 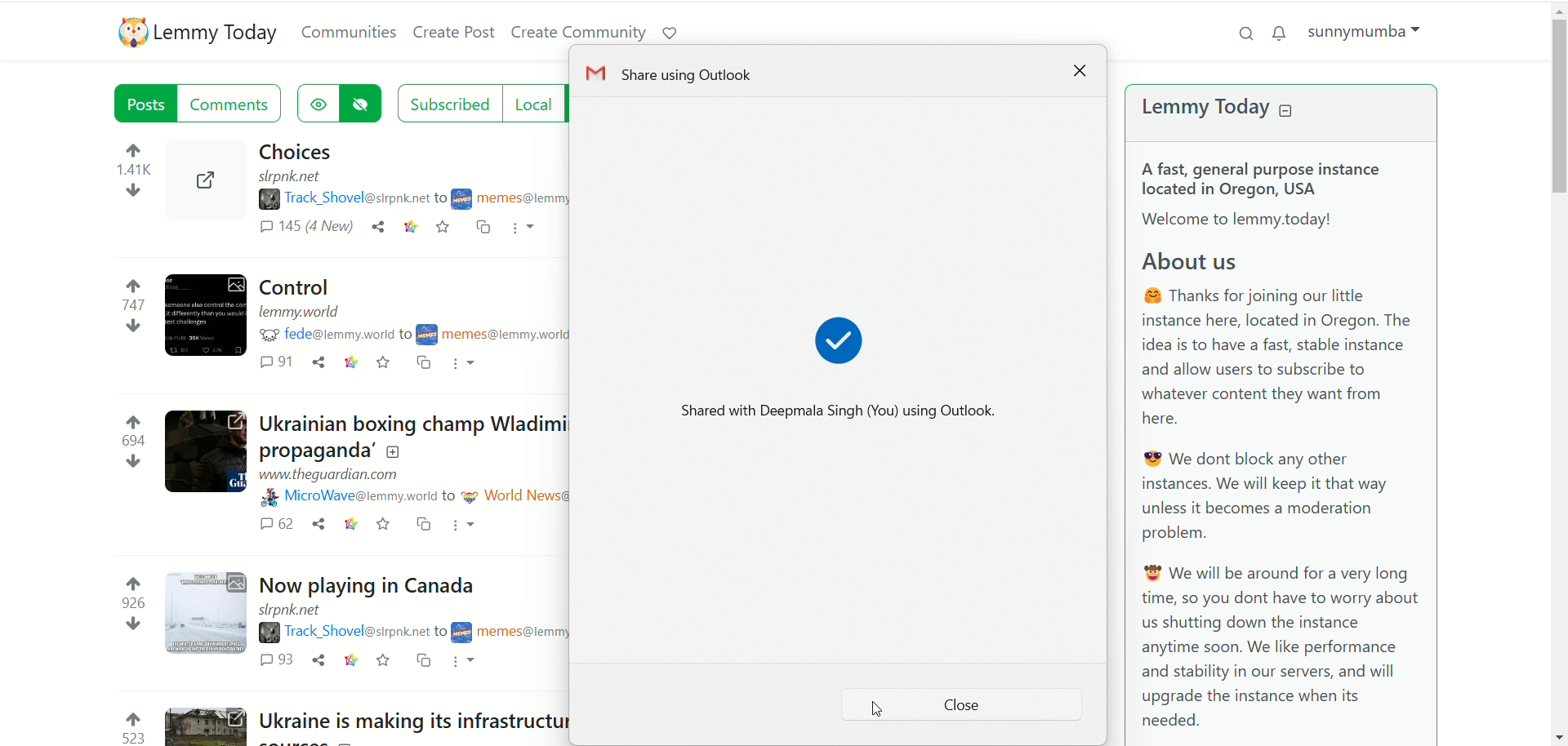 I want to click on username, so click(x=337, y=199).